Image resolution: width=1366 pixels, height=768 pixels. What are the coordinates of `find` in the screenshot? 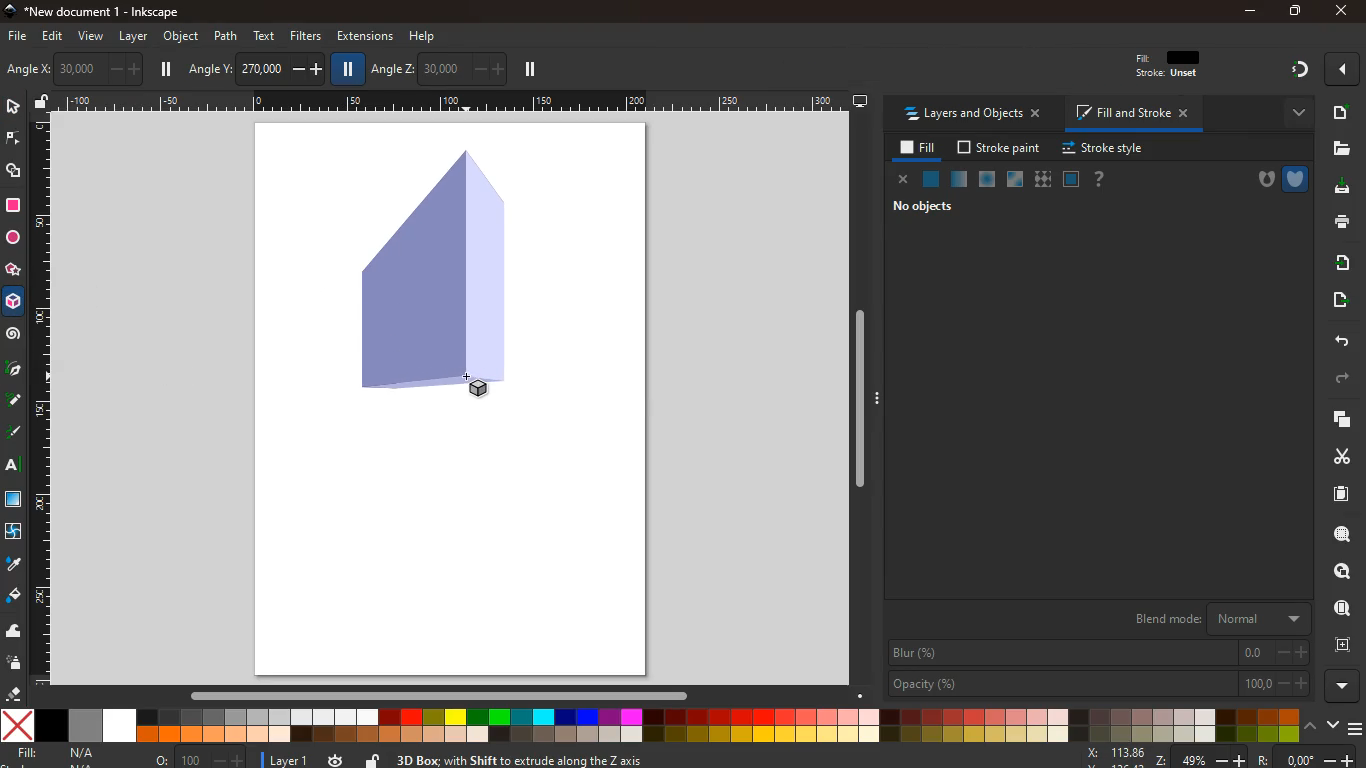 It's located at (1343, 571).